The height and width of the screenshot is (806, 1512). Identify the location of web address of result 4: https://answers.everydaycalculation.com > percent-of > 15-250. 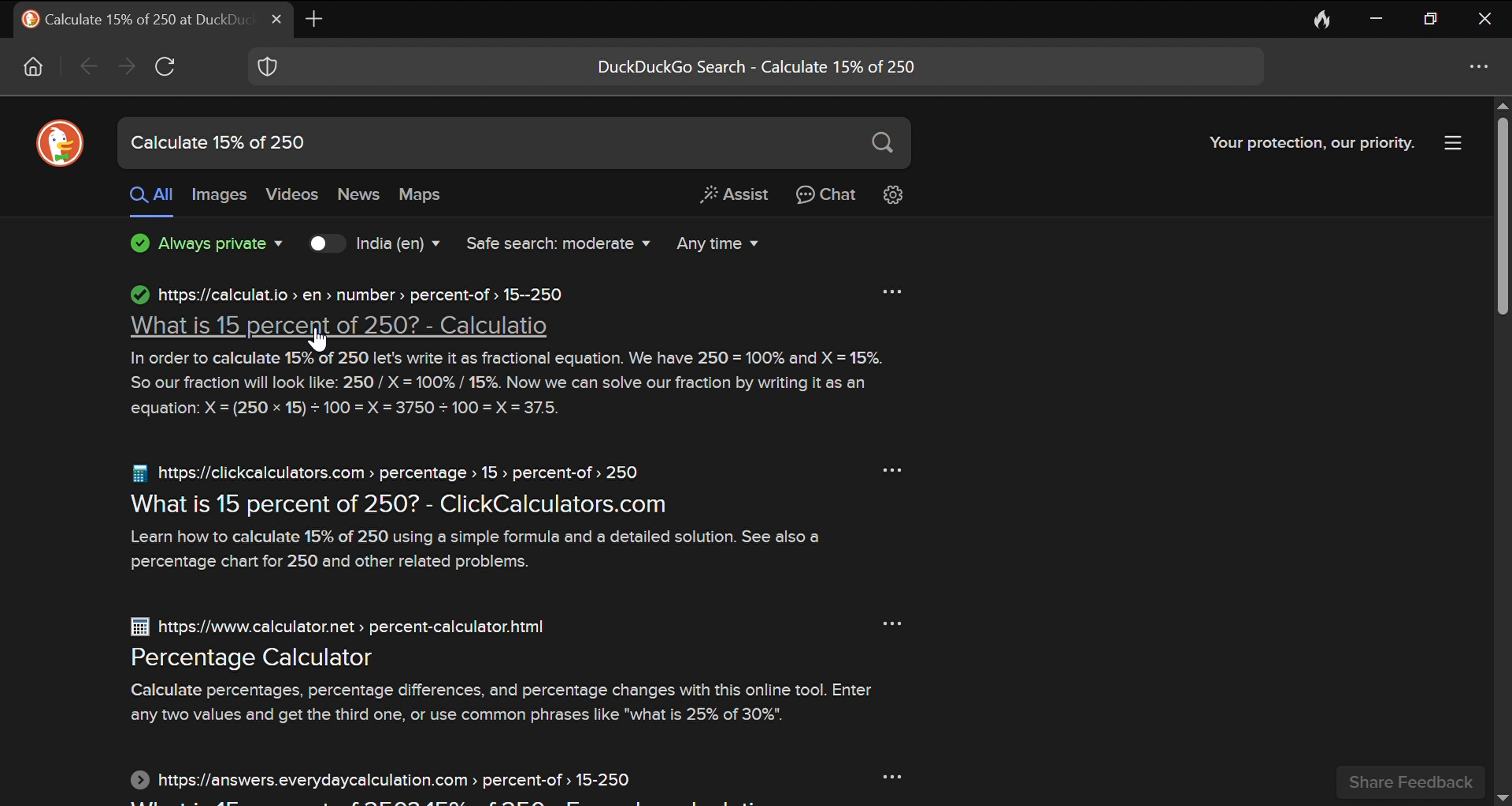
(391, 780).